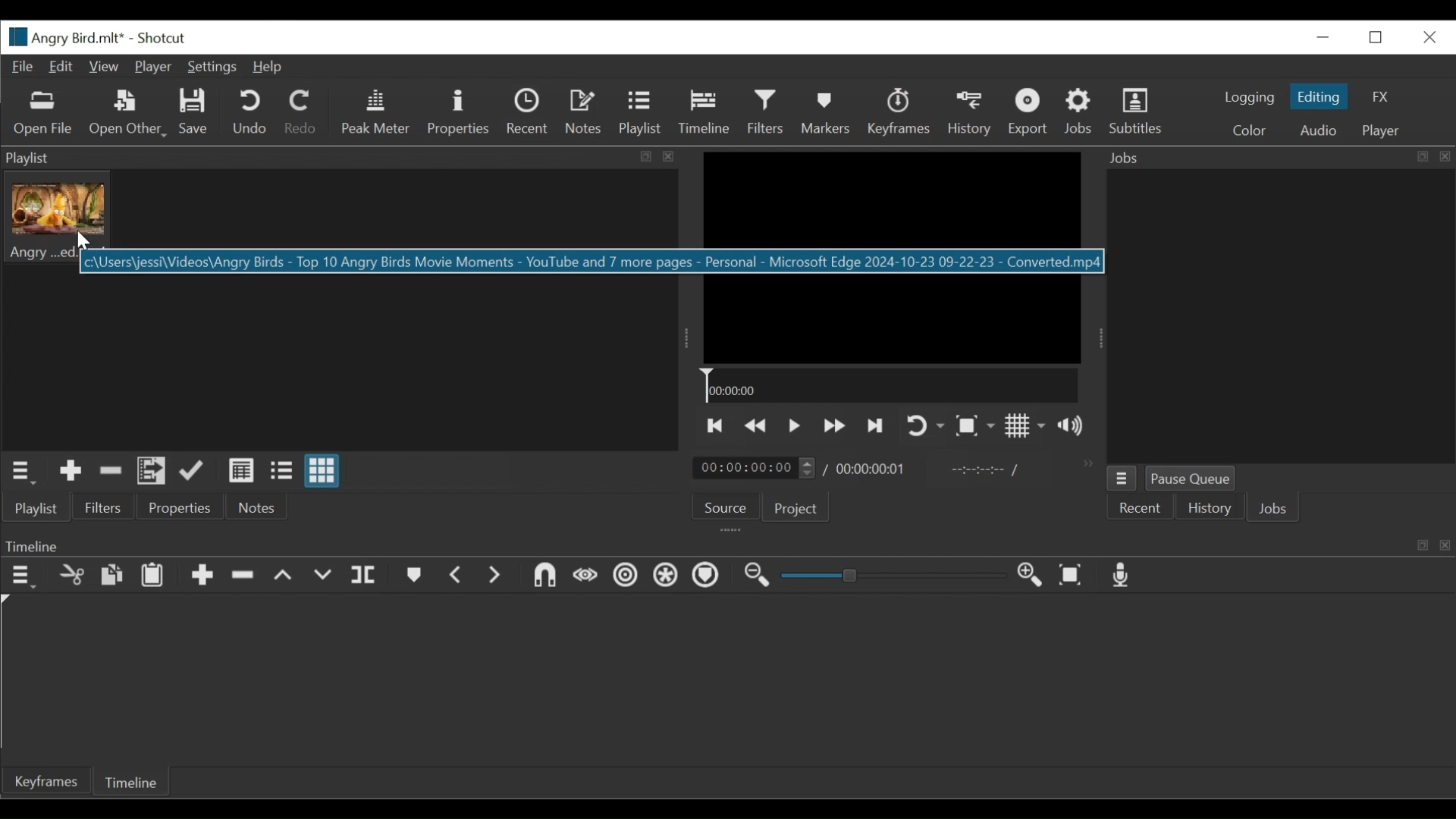  What do you see at coordinates (1272, 508) in the screenshot?
I see `Jobs` at bounding box center [1272, 508].